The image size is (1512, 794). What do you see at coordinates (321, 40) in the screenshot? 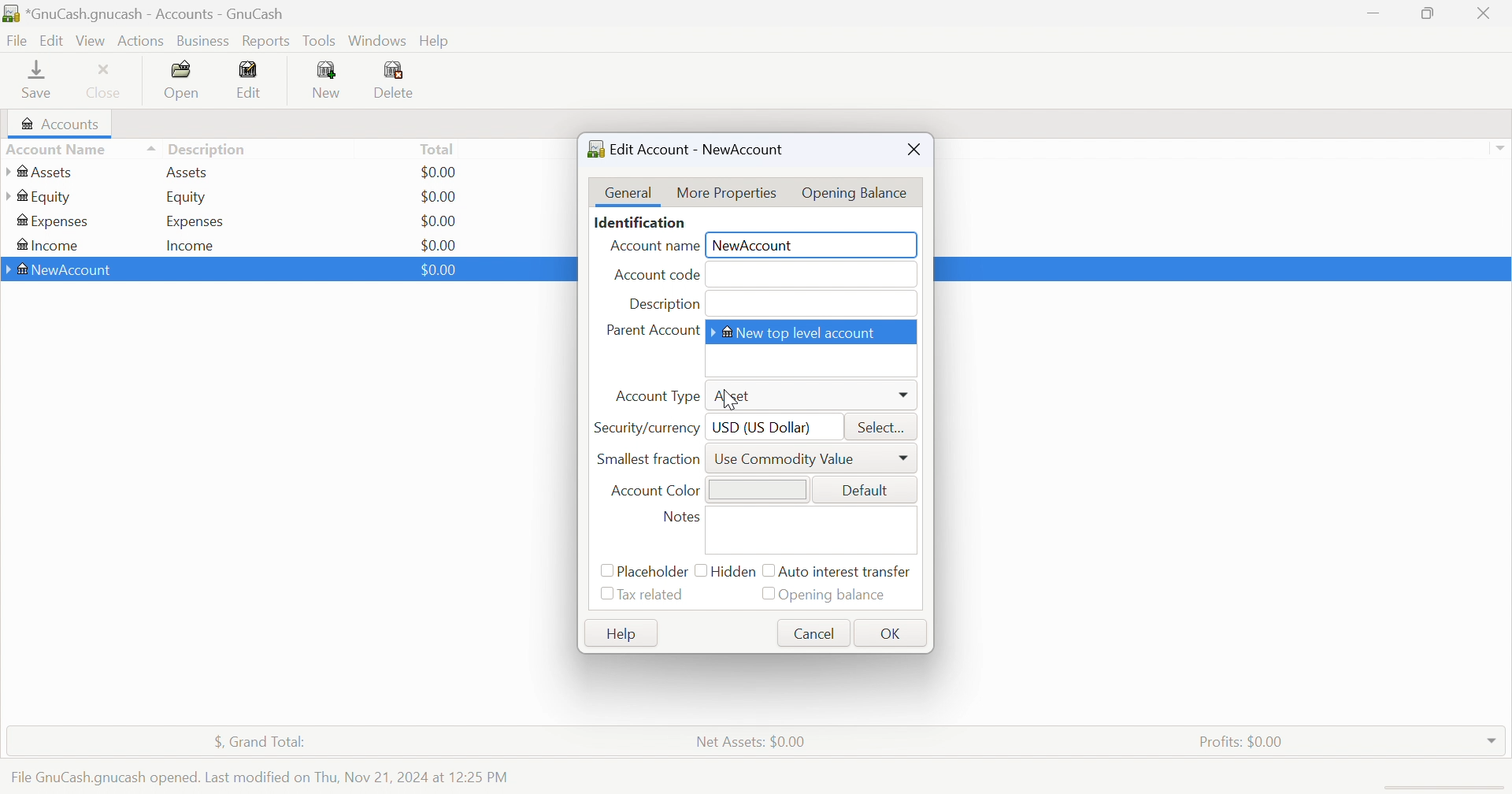
I see `Tools` at bounding box center [321, 40].